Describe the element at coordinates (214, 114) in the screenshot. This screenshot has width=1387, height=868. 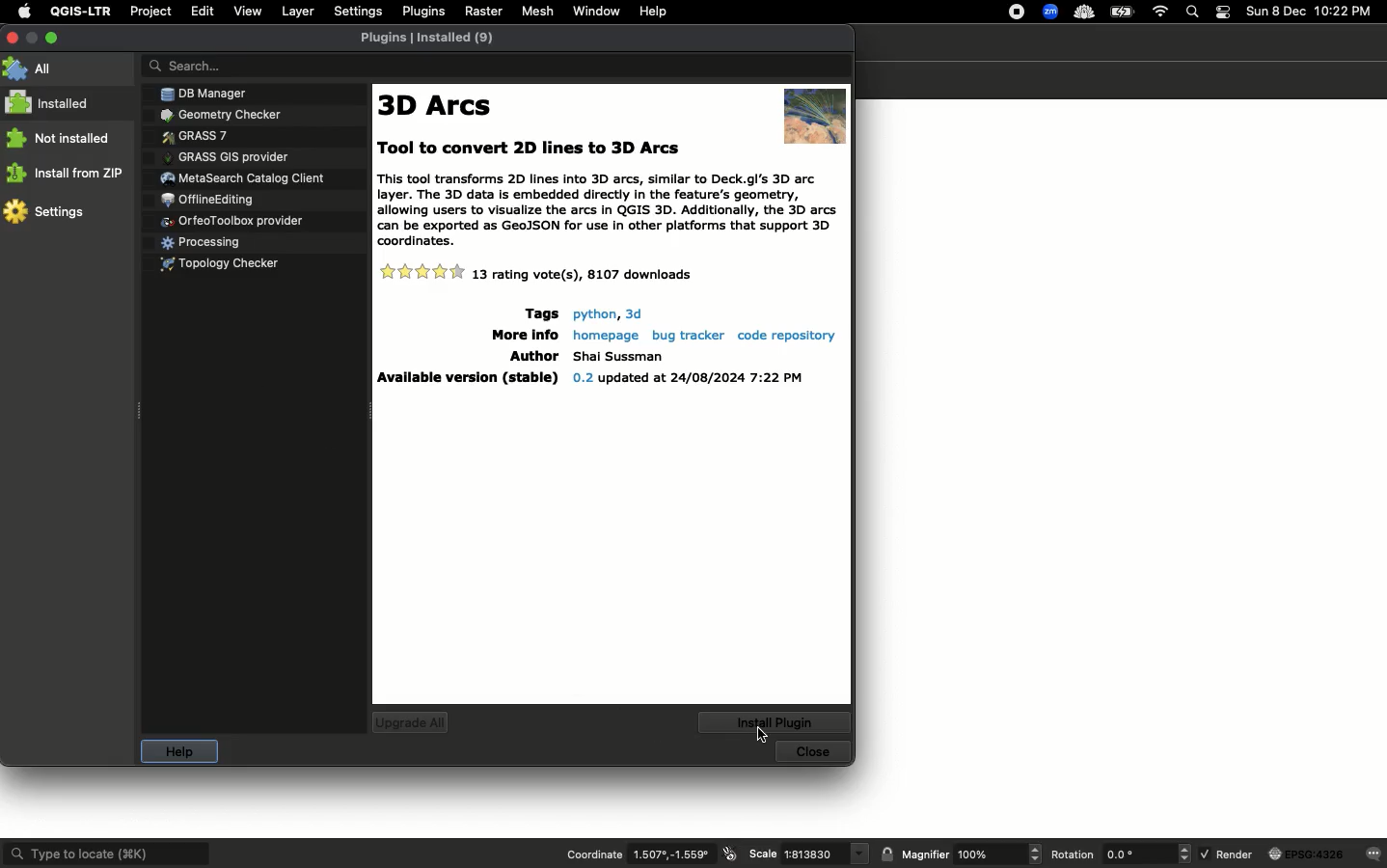
I see `Plugins` at that location.